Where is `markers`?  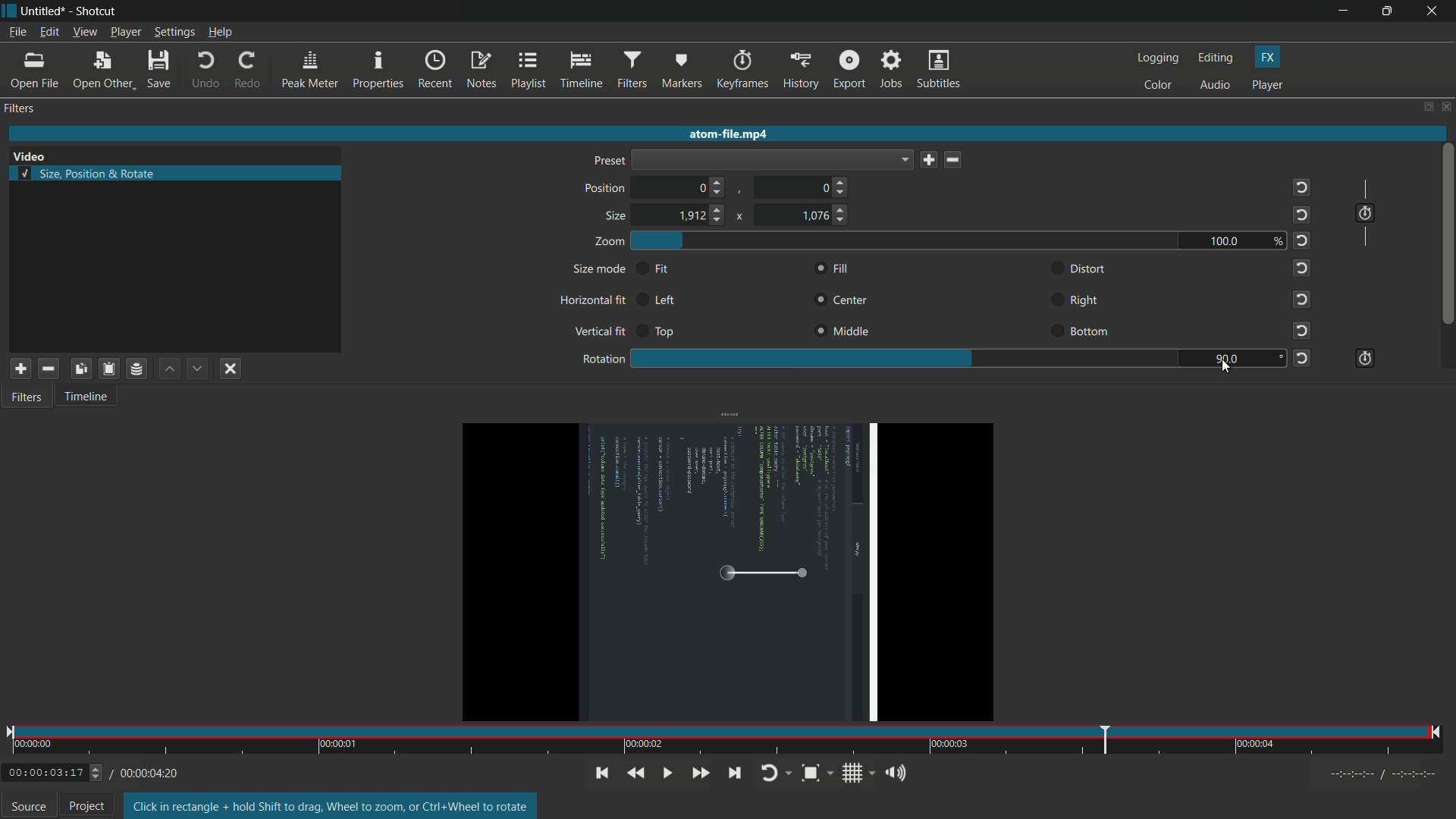
markers is located at coordinates (679, 72).